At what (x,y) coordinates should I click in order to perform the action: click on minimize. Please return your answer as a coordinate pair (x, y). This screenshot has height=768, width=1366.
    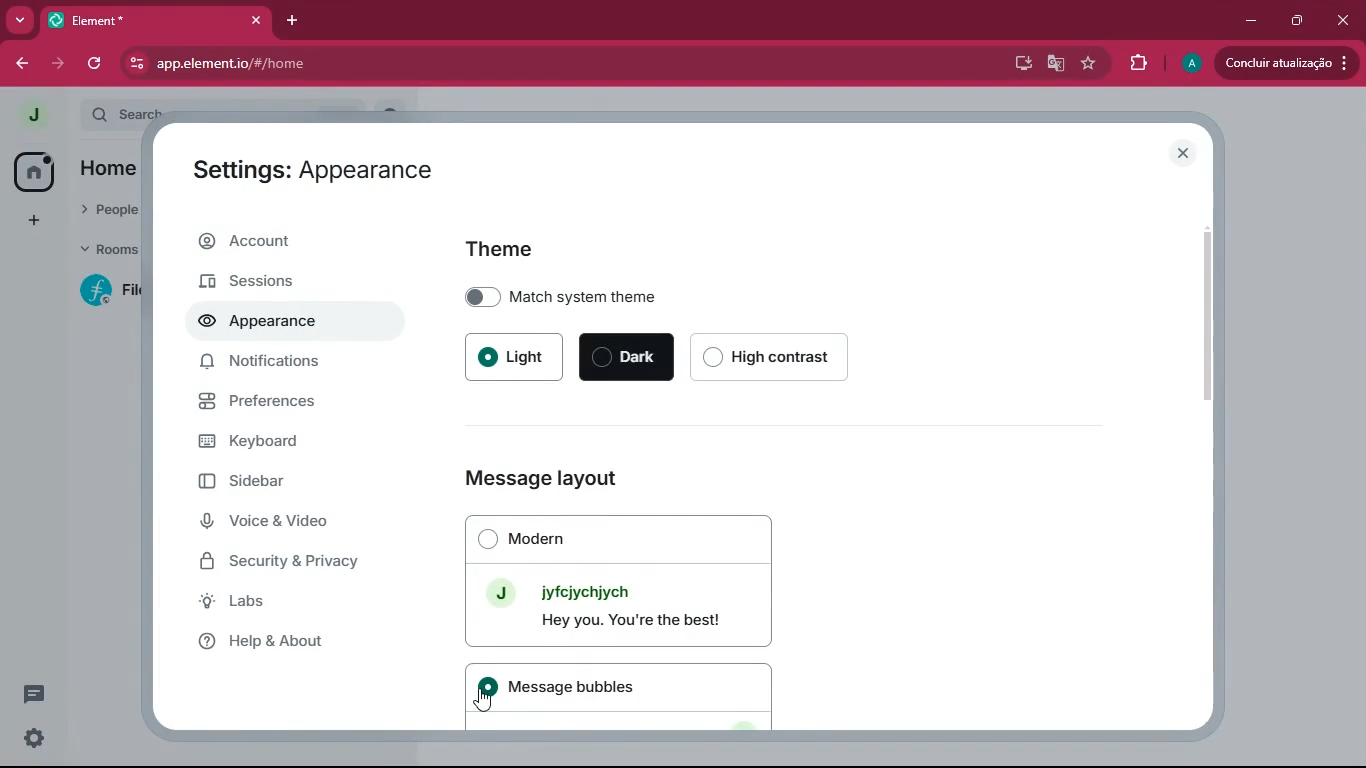
    Looking at the image, I should click on (1254, 21).